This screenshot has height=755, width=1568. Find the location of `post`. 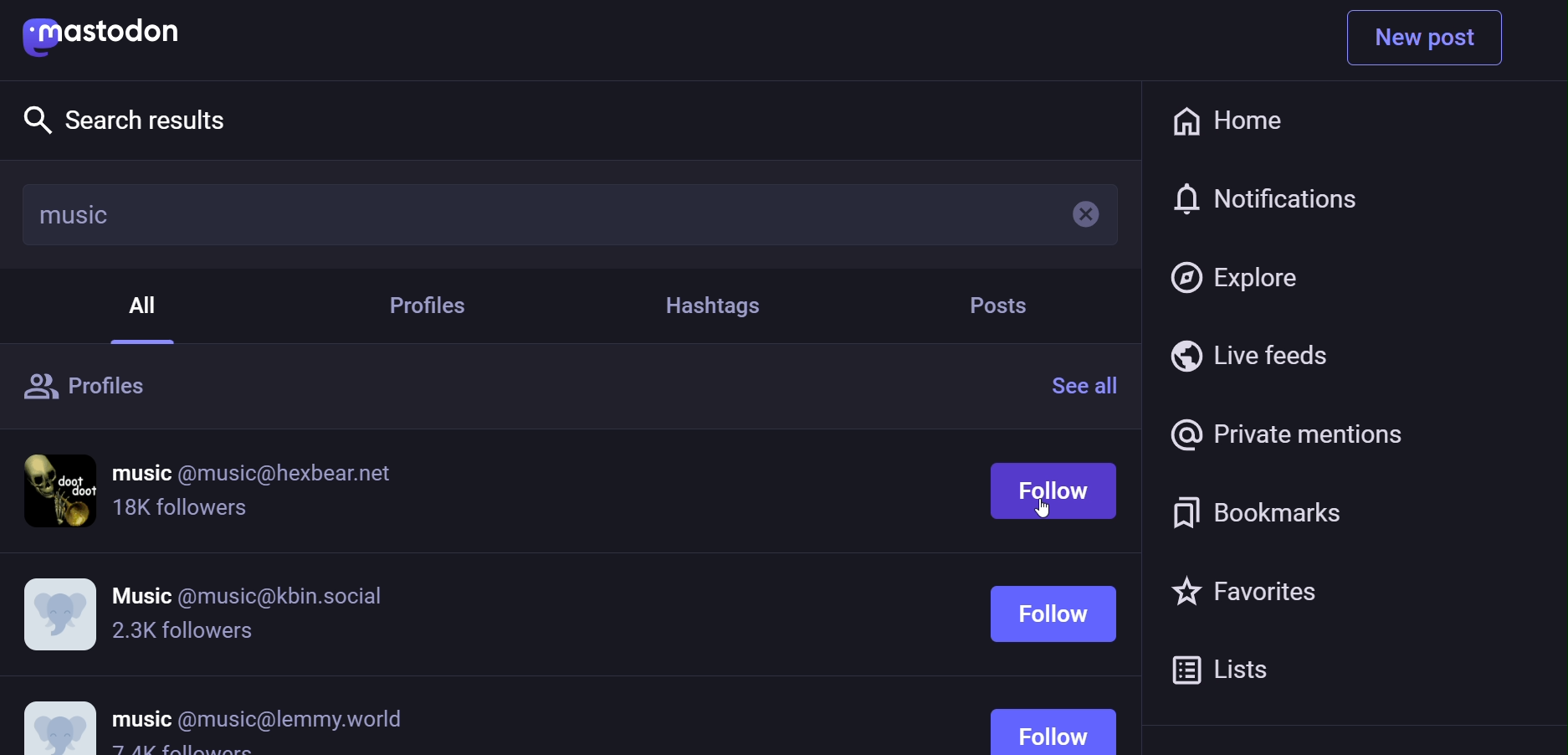

post is located at coordinates (997, 306).